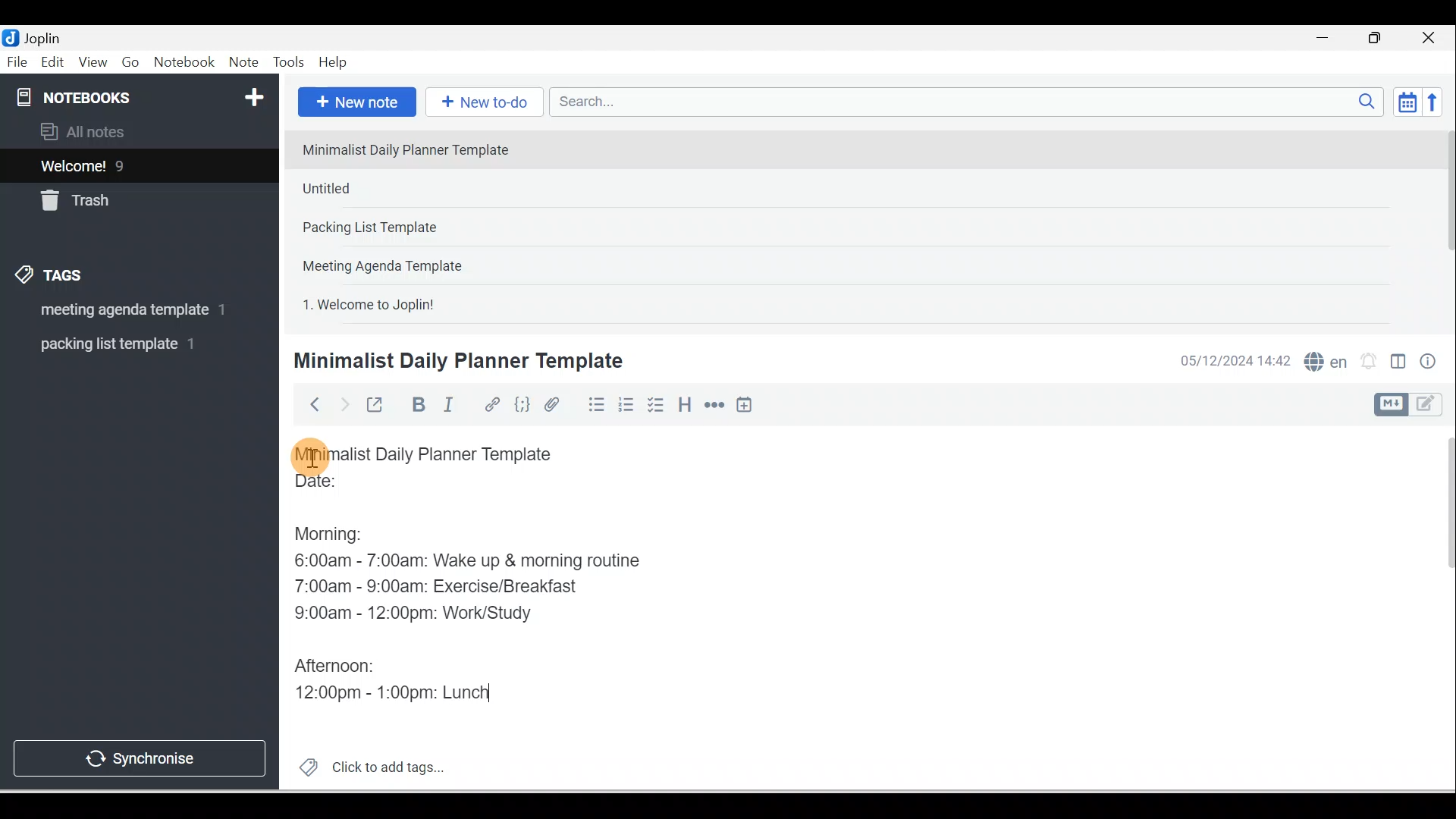 The image size is (1456, 819). I want to click on Tag 1, so click(119, 311).